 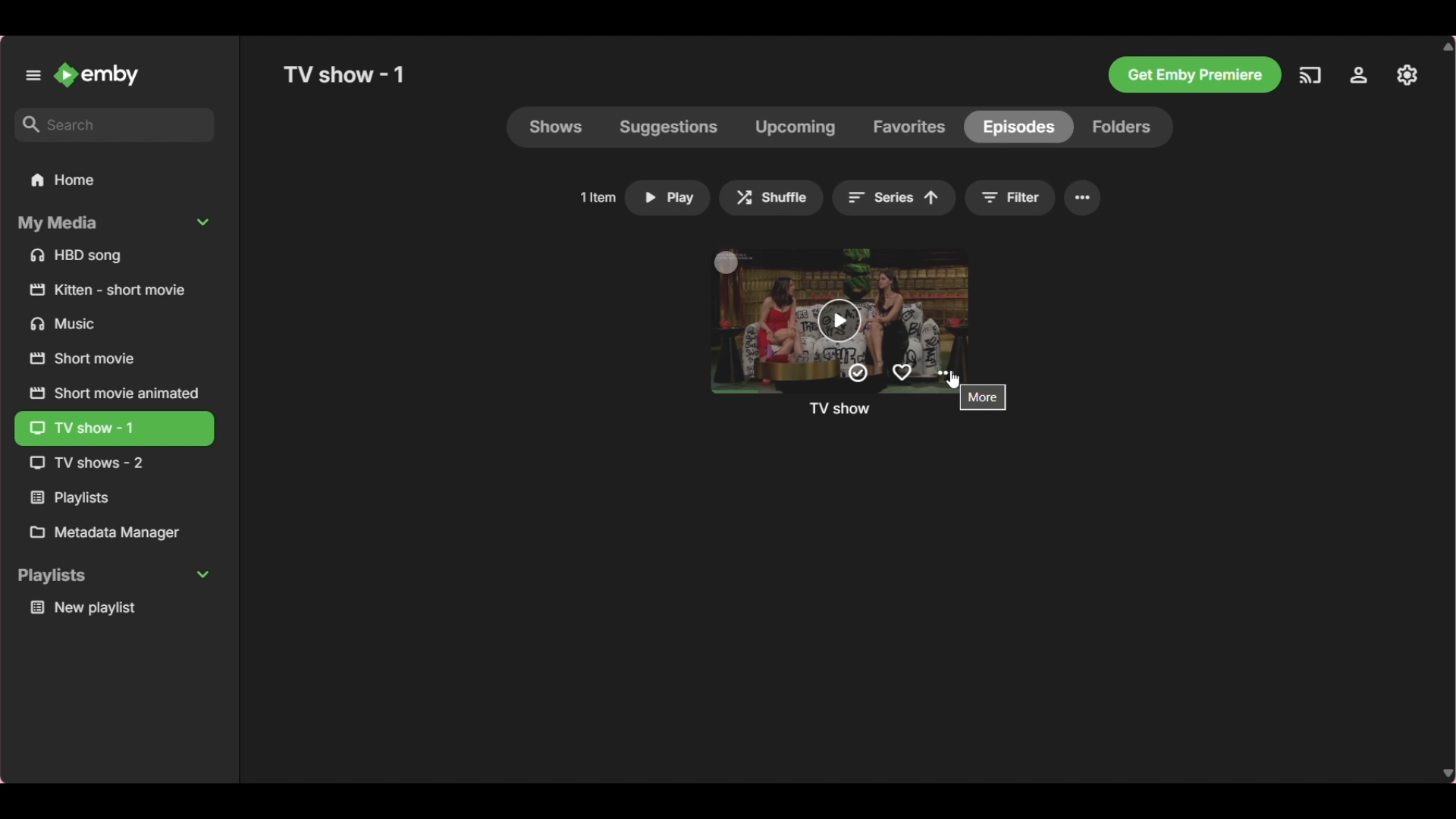 What do you see at coordinates (983, 397) in the screenshot?
I see `Description of current selection` at bounding box center [983, 397].